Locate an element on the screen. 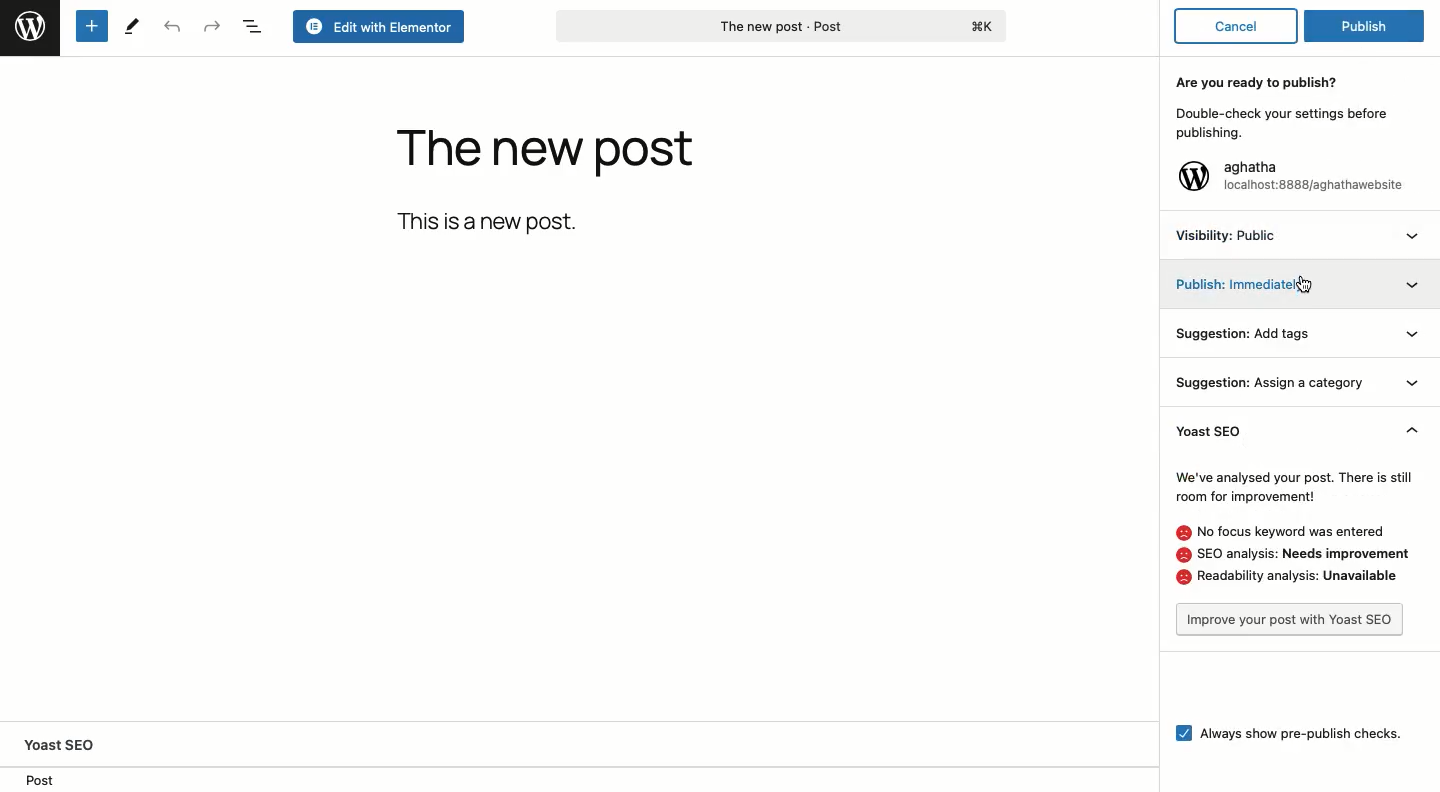  This is a new post. is located at coordinates (492, 221).